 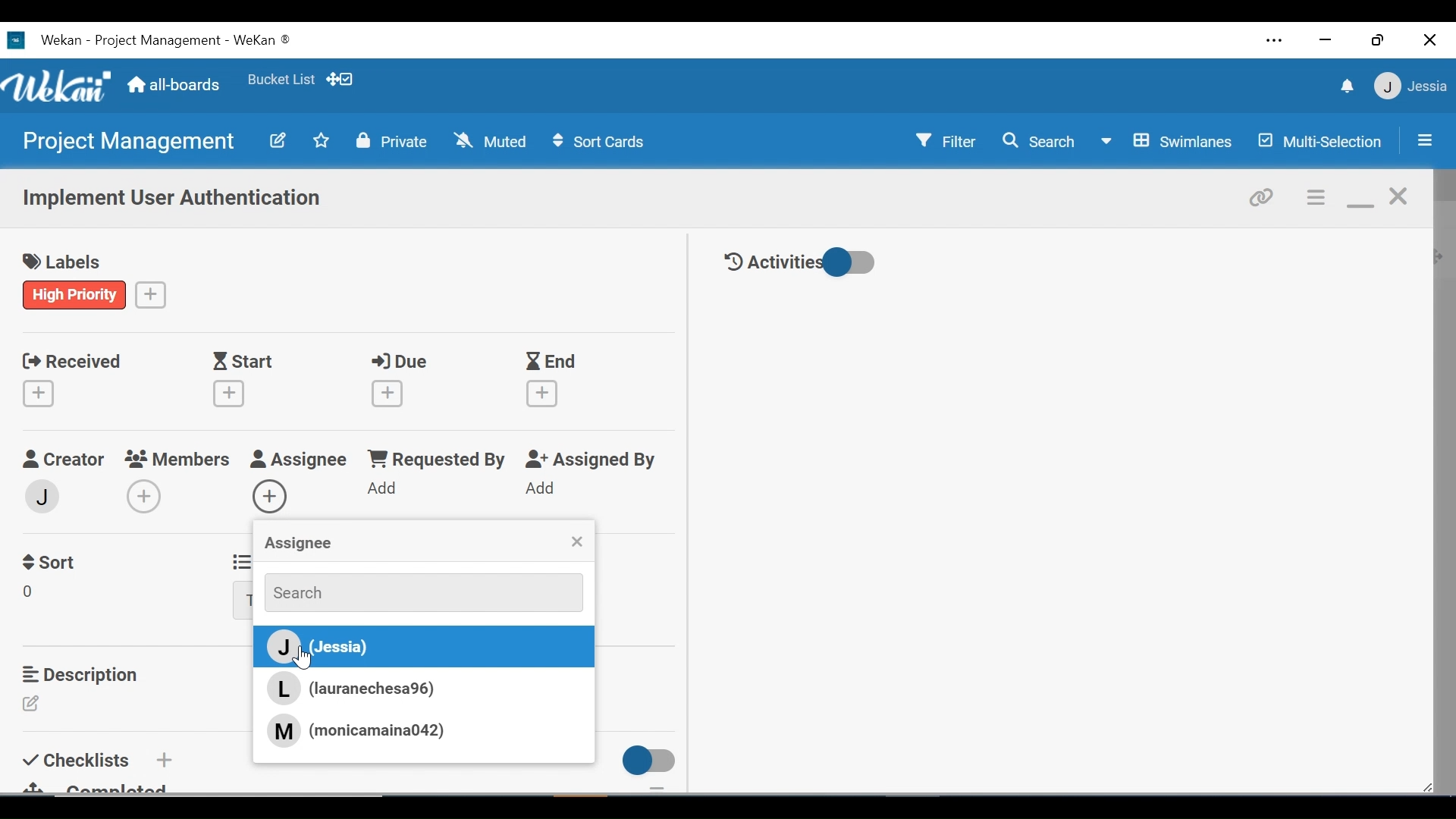 What do you see at coordinates (277, 140) in the screenshot?
I see `Edit` at bounding box center [277, 140].